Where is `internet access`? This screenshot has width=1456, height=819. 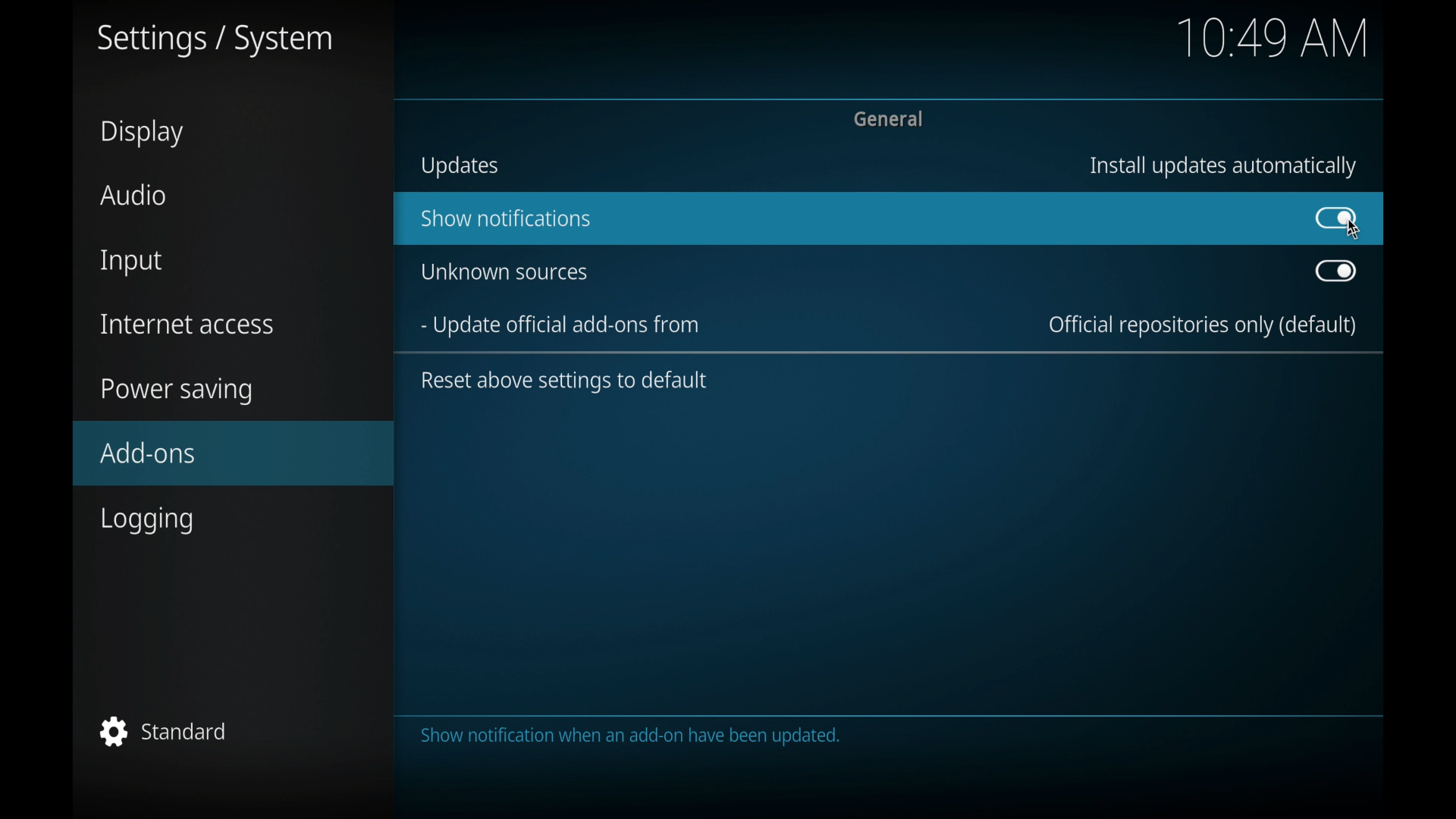
internet access is located at coordinates (188, 325).